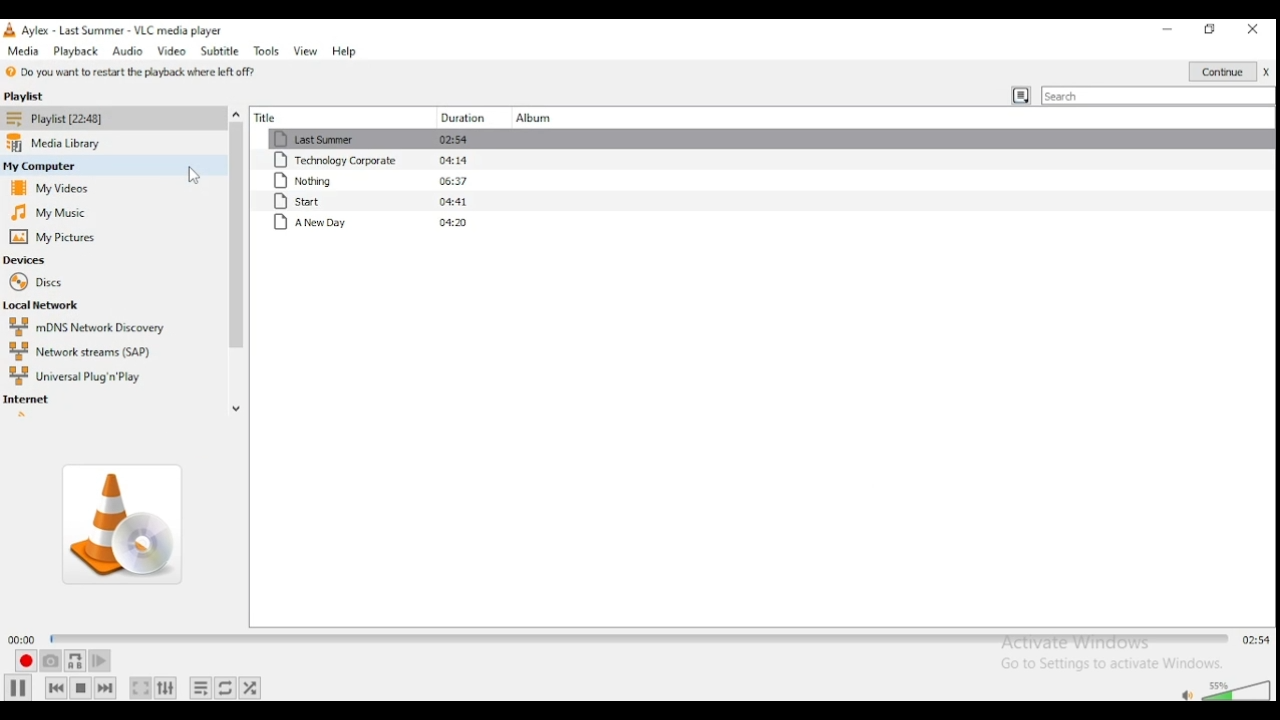  Describe the element at coordinates (266, 51) in the screenshot. I see `tools` at that location.